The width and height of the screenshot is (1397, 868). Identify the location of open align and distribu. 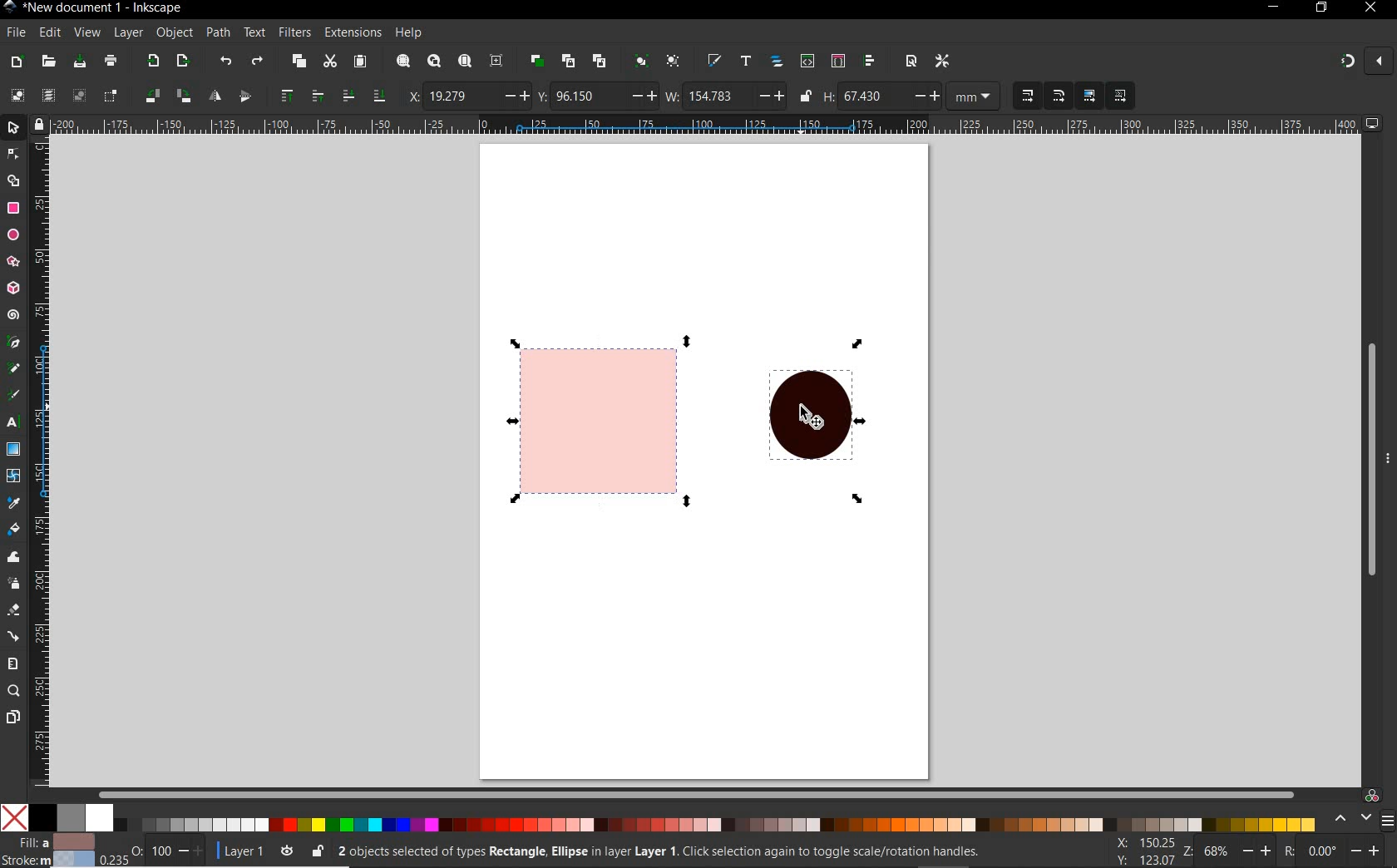
(869, 62).